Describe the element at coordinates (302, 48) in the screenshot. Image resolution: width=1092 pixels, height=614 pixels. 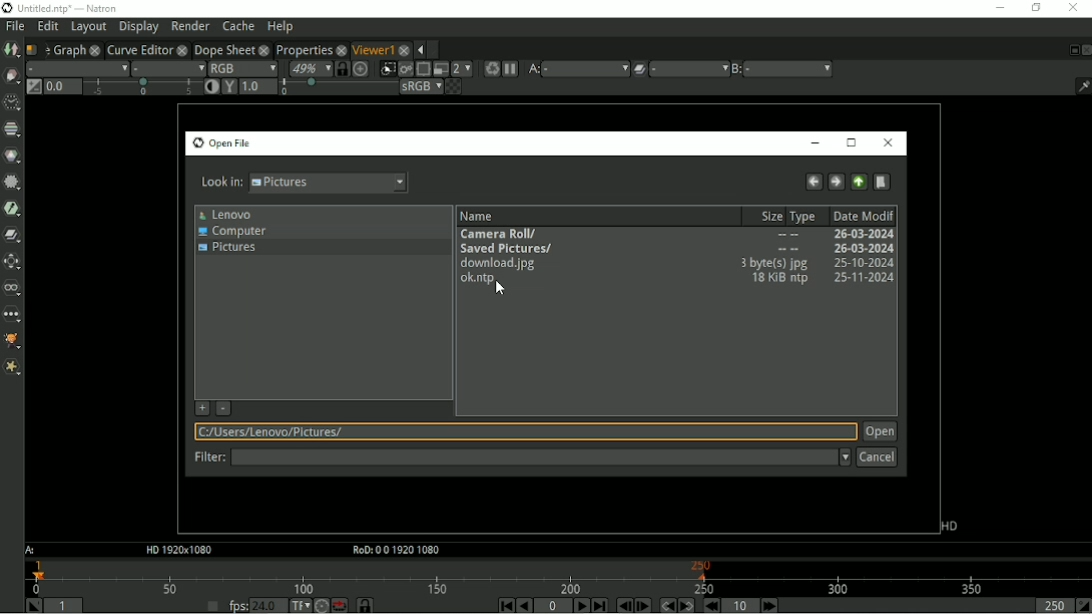
I see `Properties` at that location.